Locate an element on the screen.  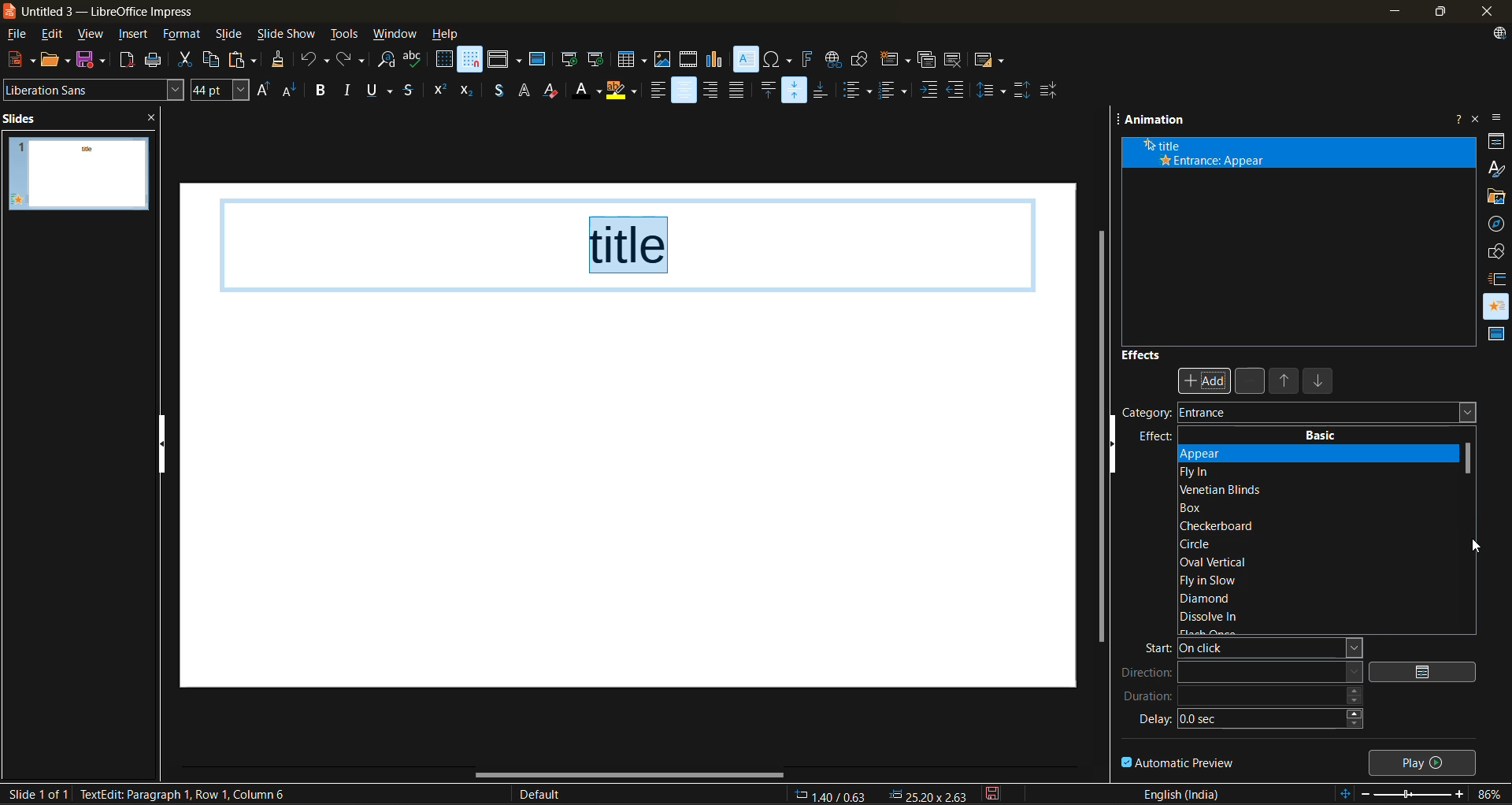
font size is located at coordinates (221, 90).